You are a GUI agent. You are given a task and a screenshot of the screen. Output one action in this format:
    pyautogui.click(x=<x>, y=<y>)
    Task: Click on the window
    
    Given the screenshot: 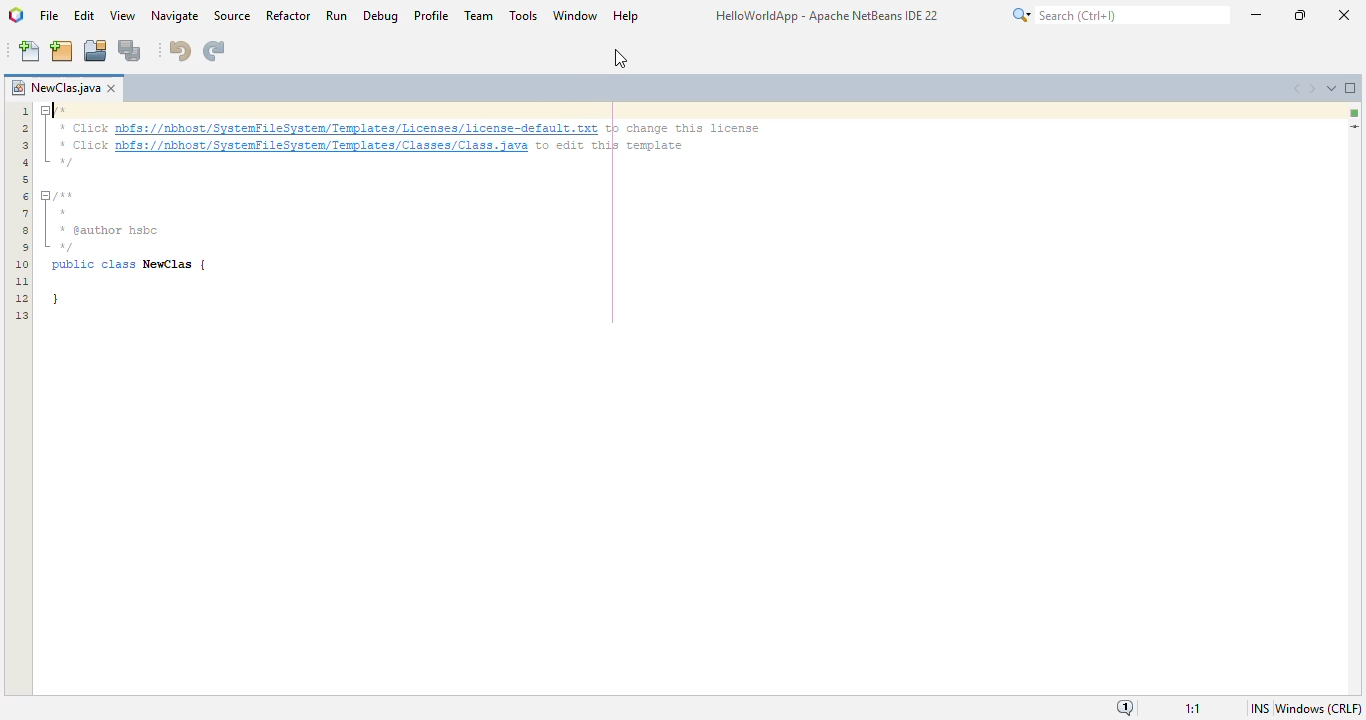 What is the action you would take?
    pyautogui.click(x=576, y=14)
    